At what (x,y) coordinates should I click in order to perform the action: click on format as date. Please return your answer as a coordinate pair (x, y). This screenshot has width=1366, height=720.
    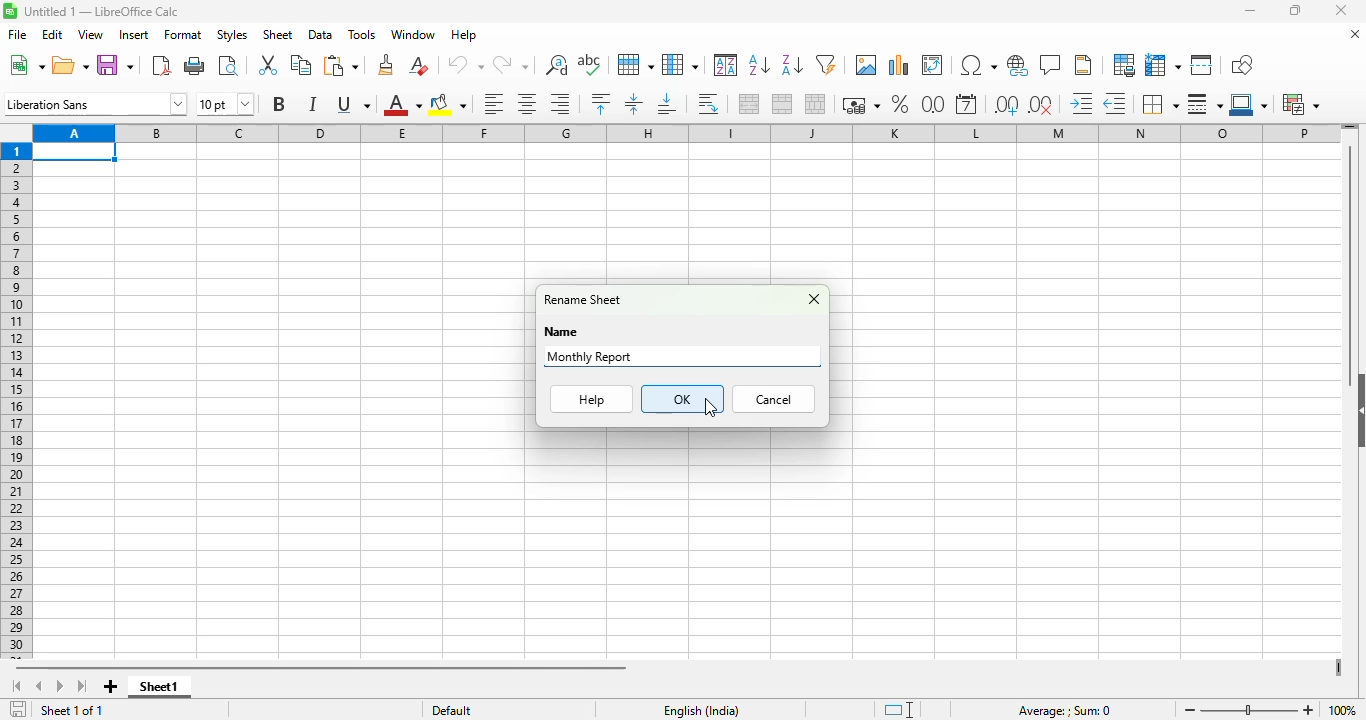
    Looking at the image, I should click on (967, 103).